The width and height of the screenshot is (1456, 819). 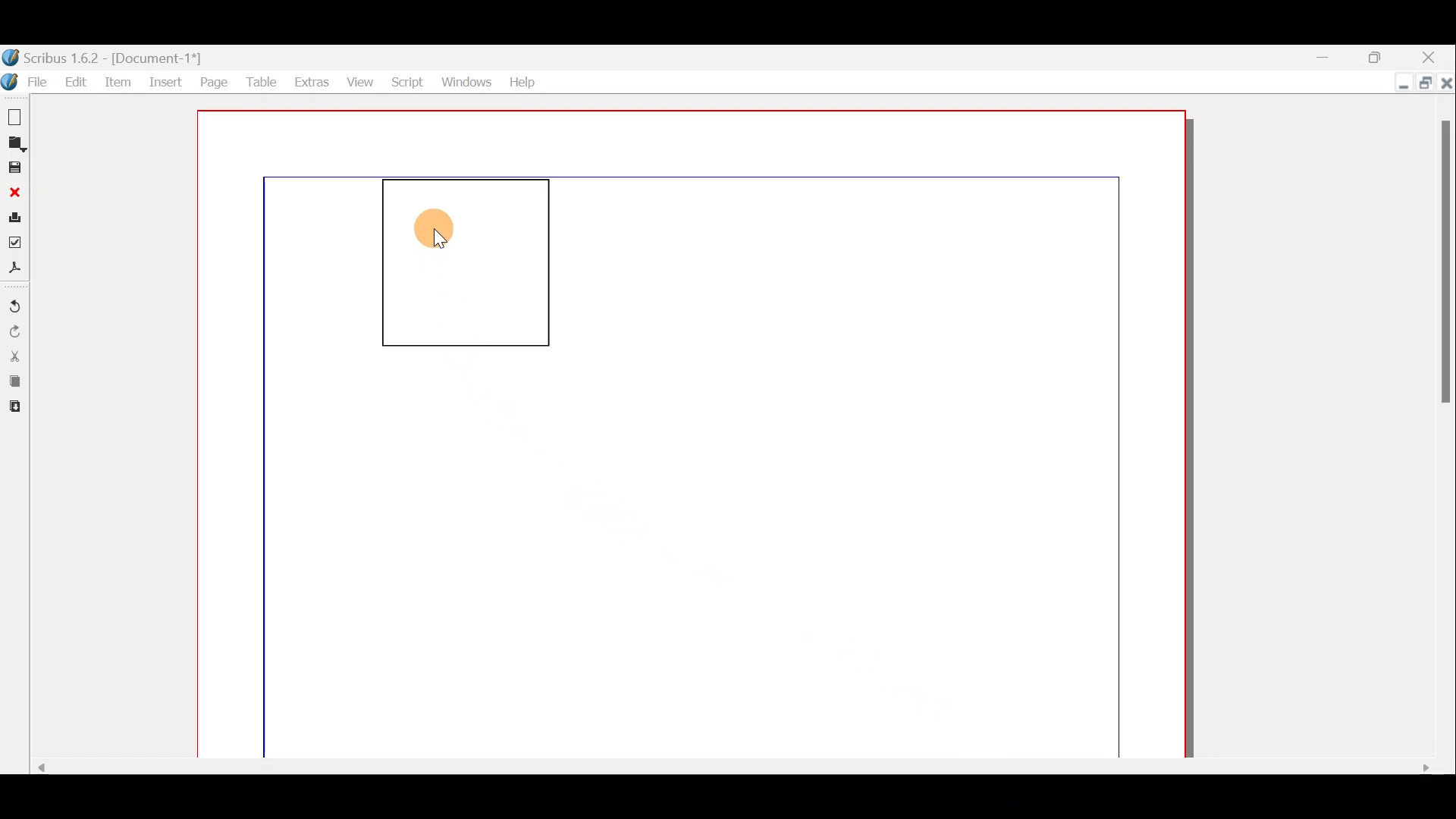 What do you see at coordinates (14, 193) in the screenshot?
I see `Close` at bounding box center [14, 193].